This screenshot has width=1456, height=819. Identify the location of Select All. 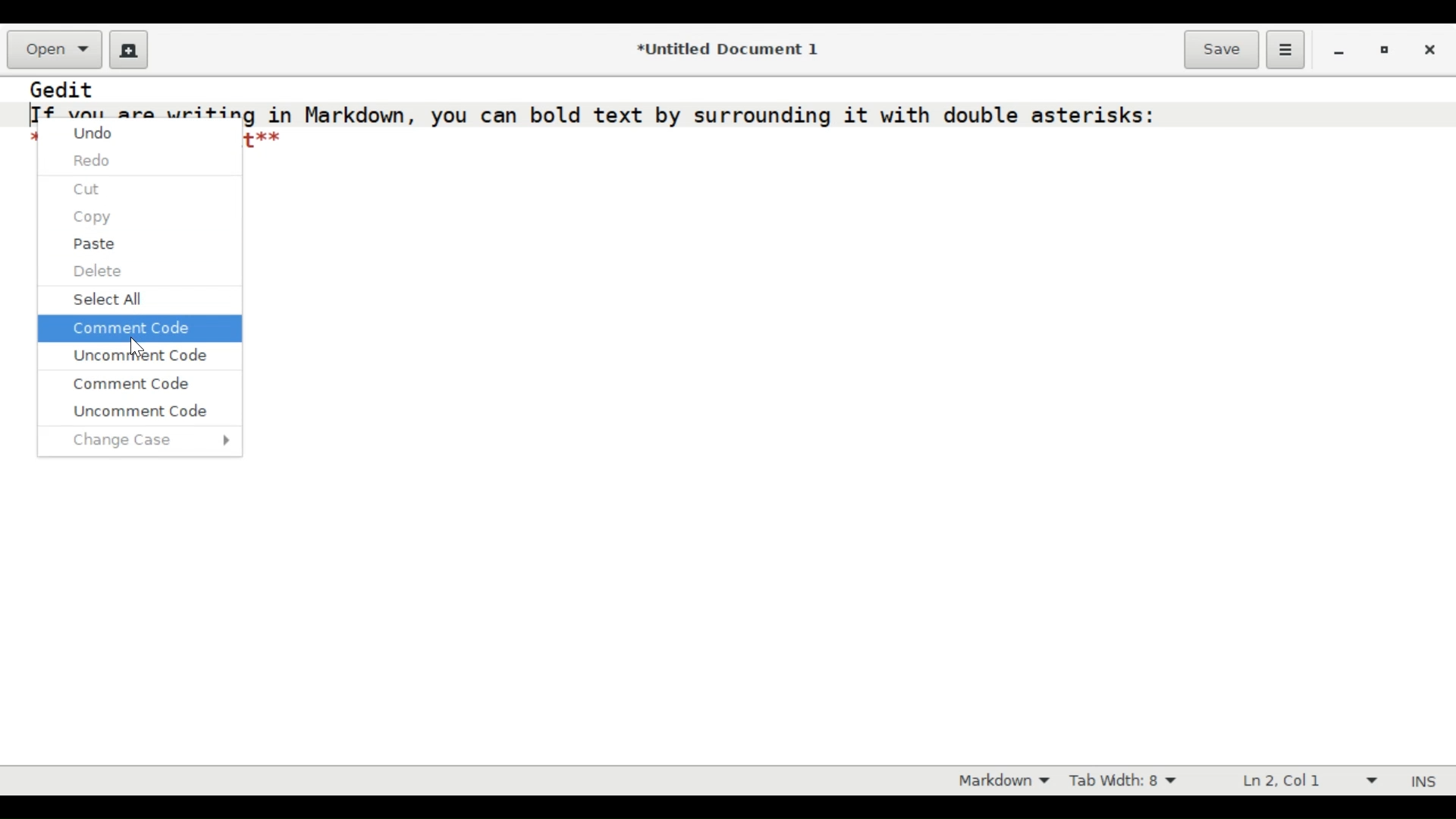
(115, 300).